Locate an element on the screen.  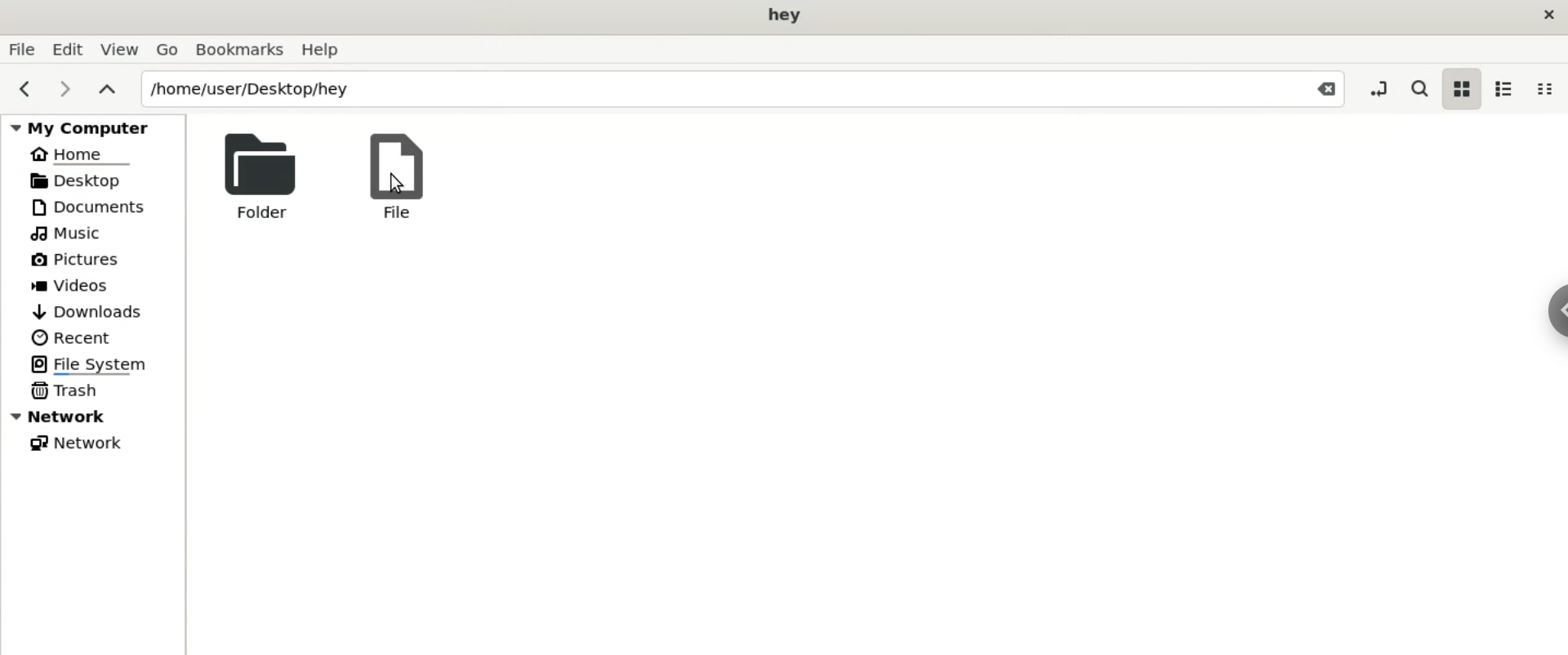
recent is located at coordinates (70, 338).